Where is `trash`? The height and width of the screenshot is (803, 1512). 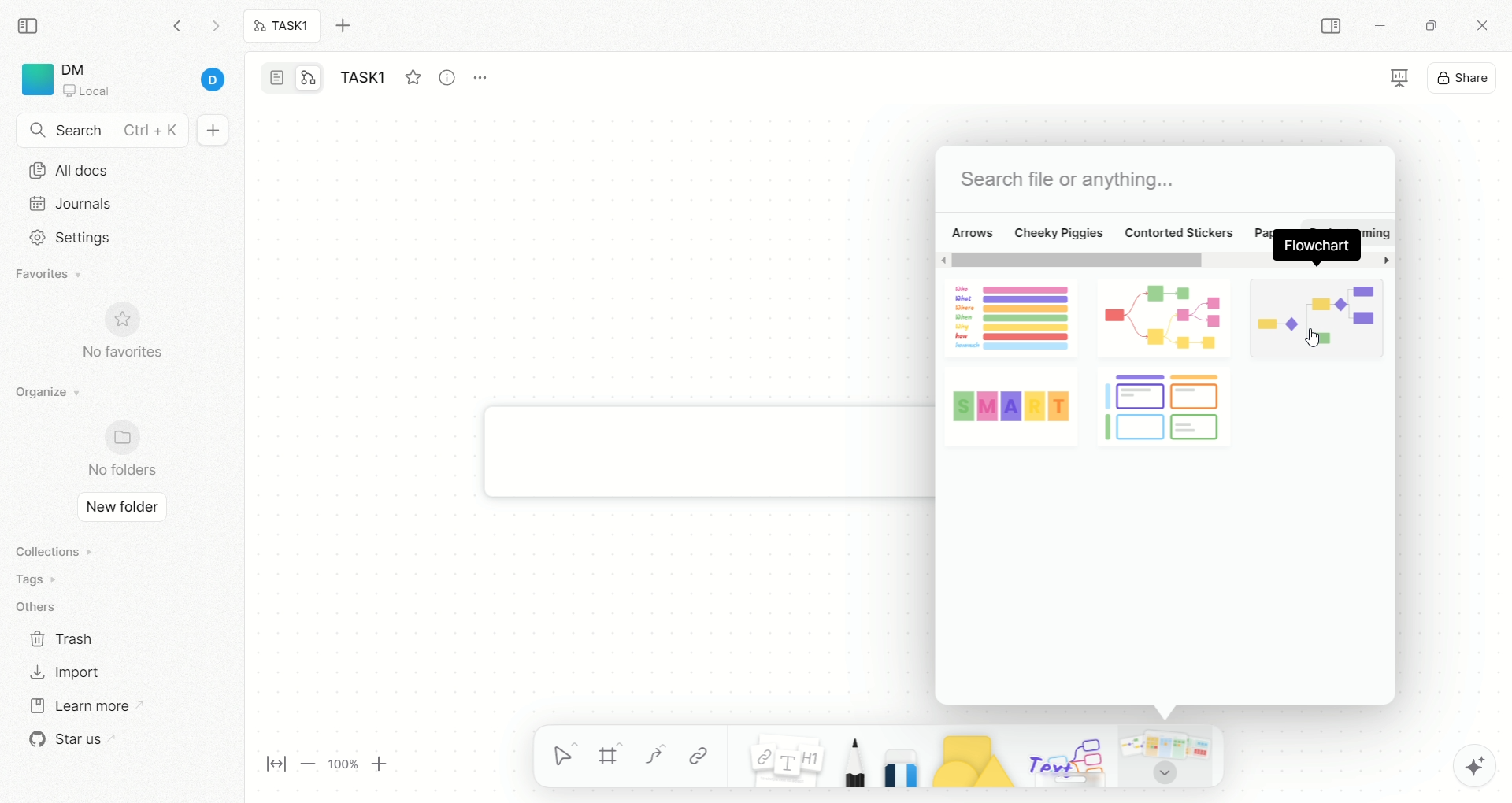
trash is located at coordinates (63, 638).